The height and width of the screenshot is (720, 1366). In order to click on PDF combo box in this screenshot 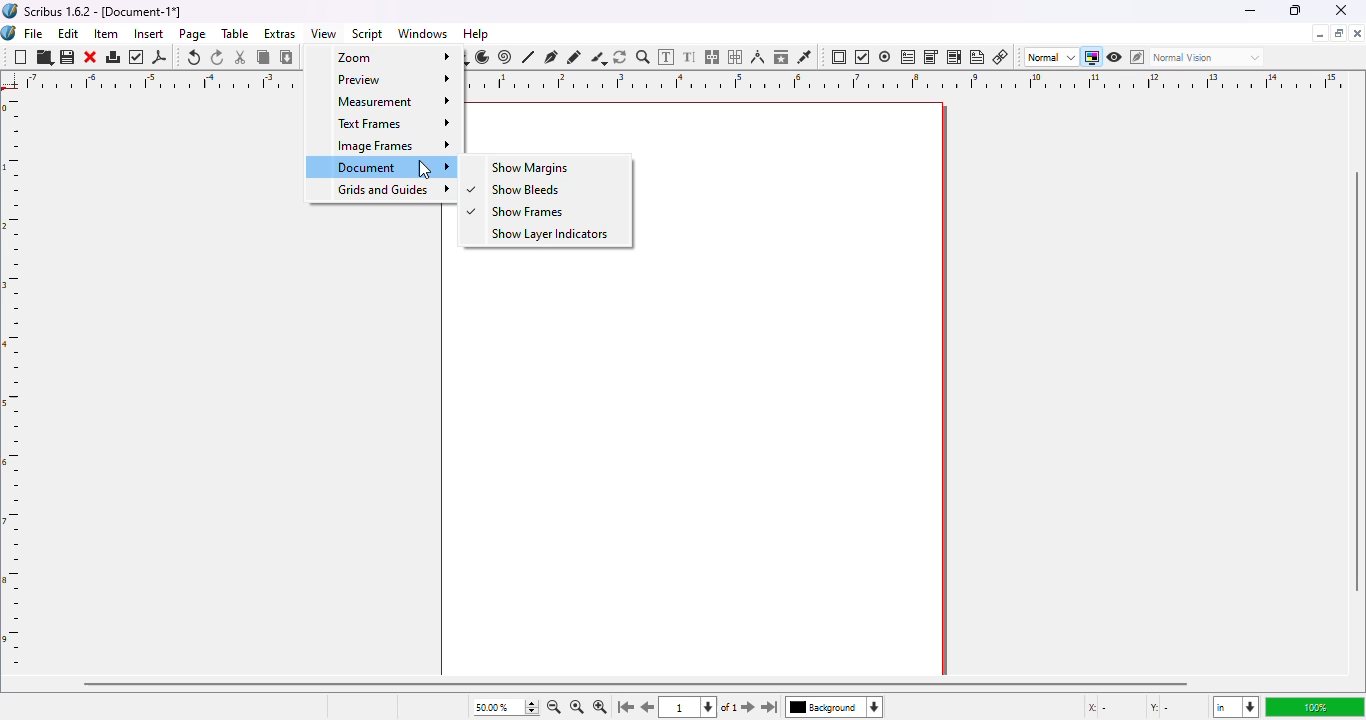, I will do `click(931, 57)`.